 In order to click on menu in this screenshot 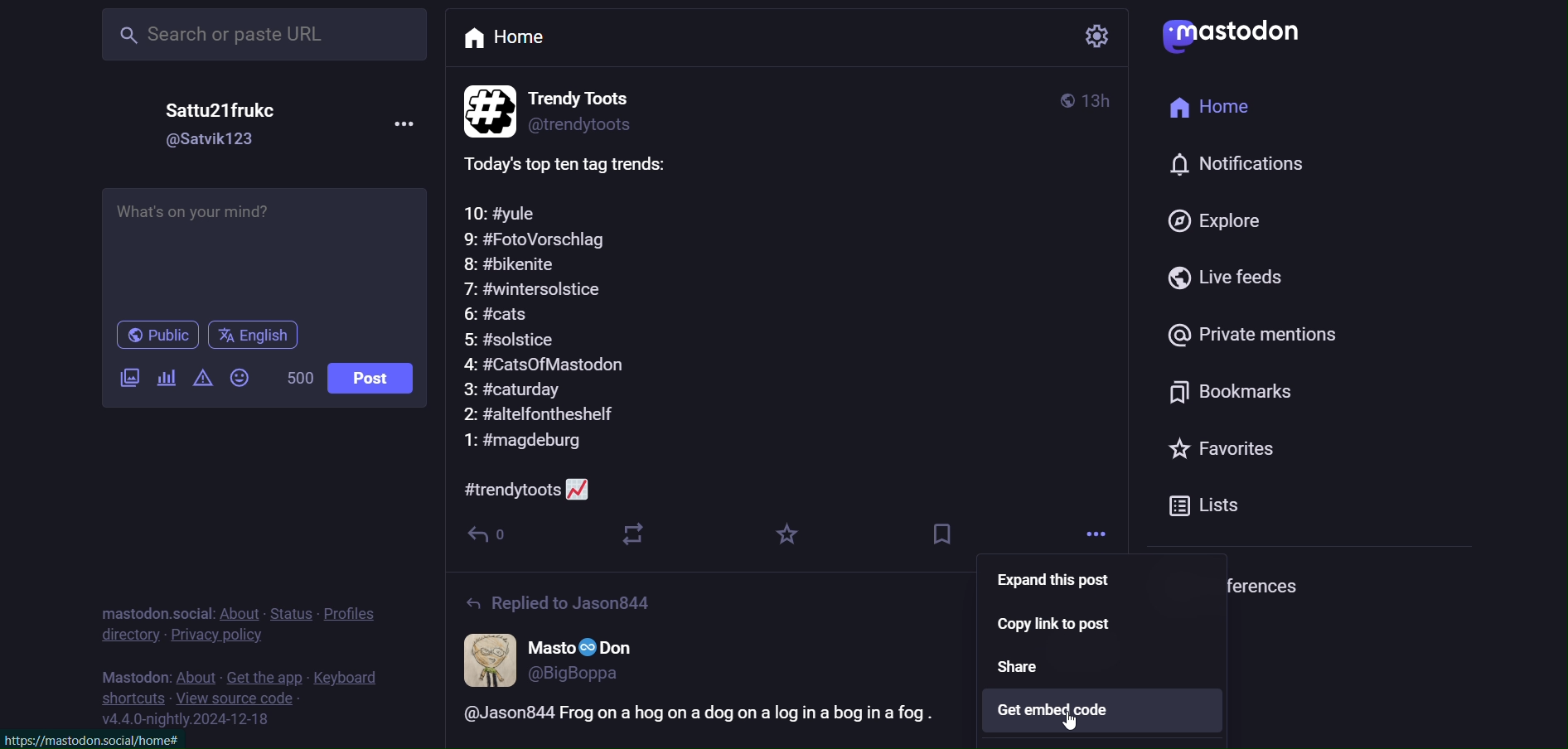, I will do `click(399, 122)`.